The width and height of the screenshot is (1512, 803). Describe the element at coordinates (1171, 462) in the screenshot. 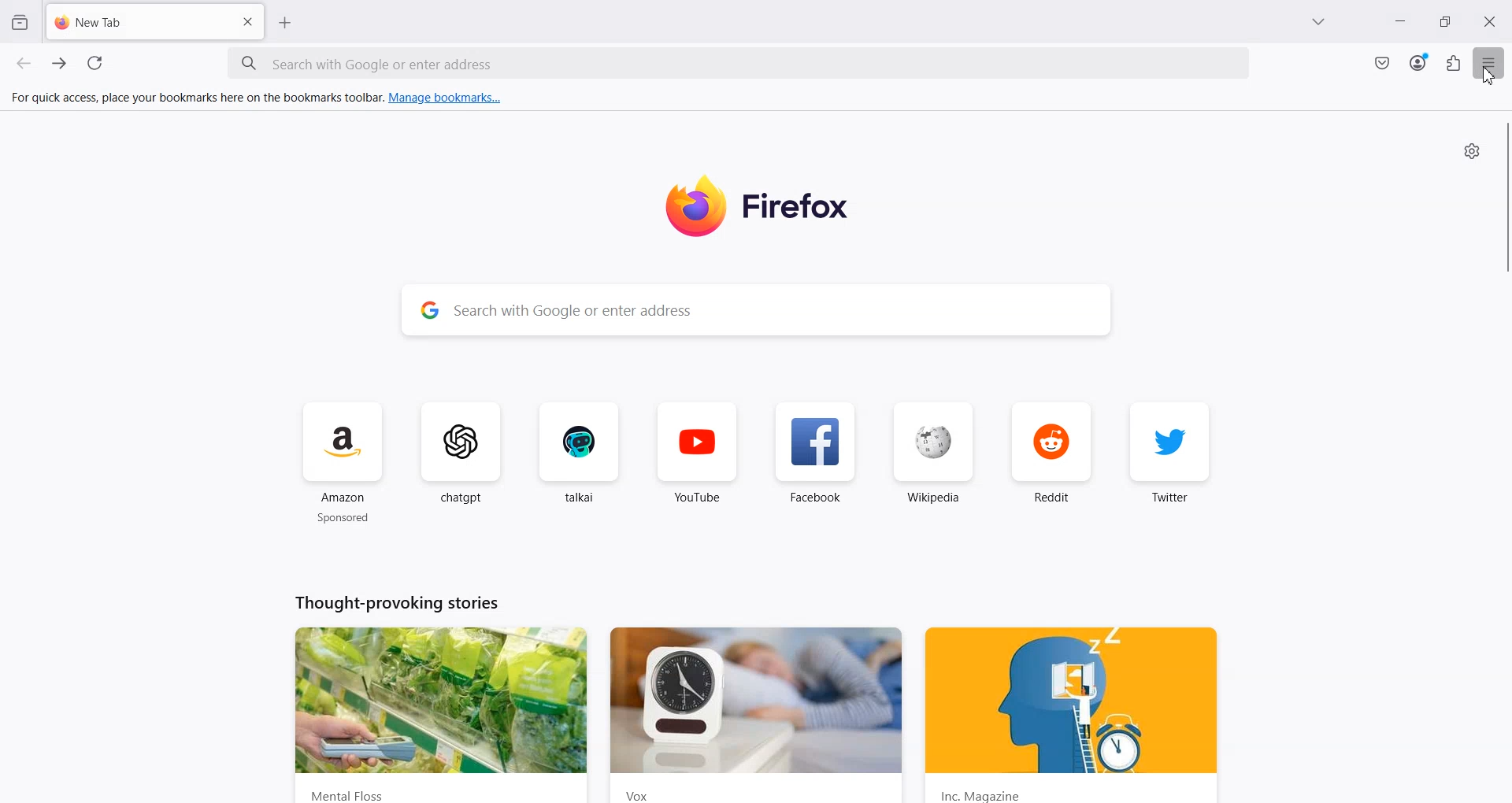

I see `Twitter` at that location.